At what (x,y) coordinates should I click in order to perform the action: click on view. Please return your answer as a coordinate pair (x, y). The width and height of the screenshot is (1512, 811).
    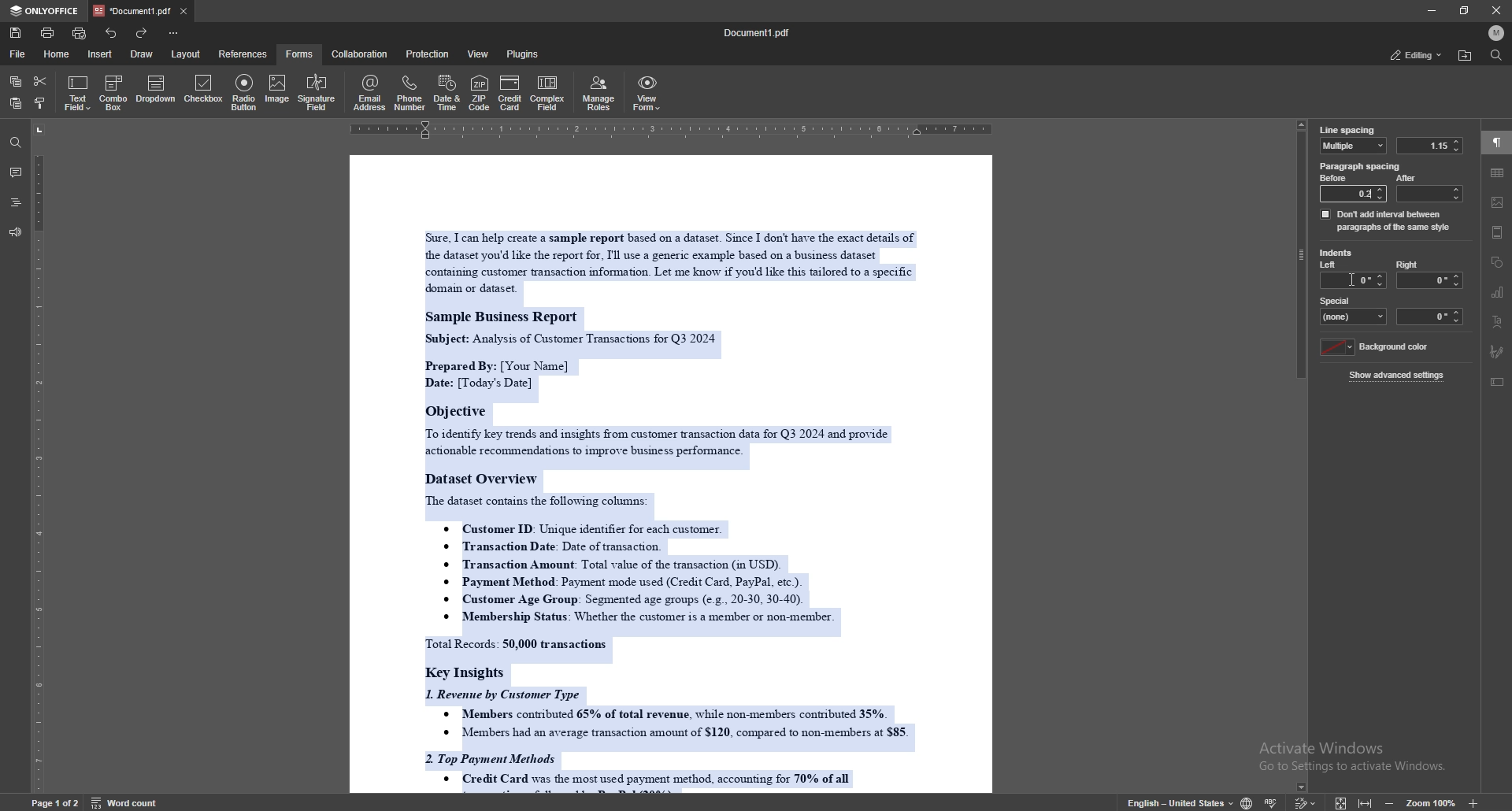
    Looking at the image, I should click on (480, 54).